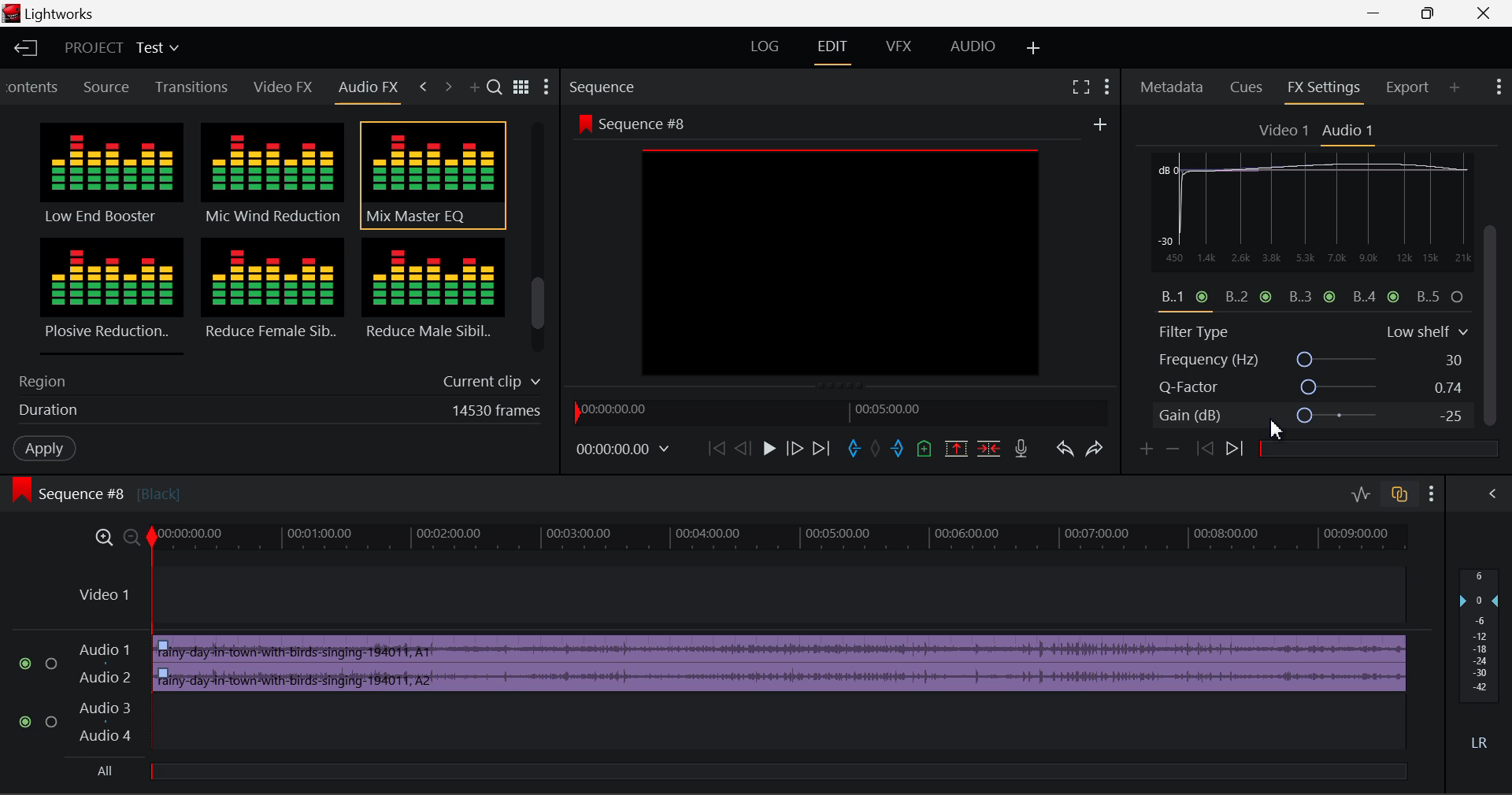  Describe the element at coordinates (783, 539) in the screenshot. I see `Project Timeline` at that location.